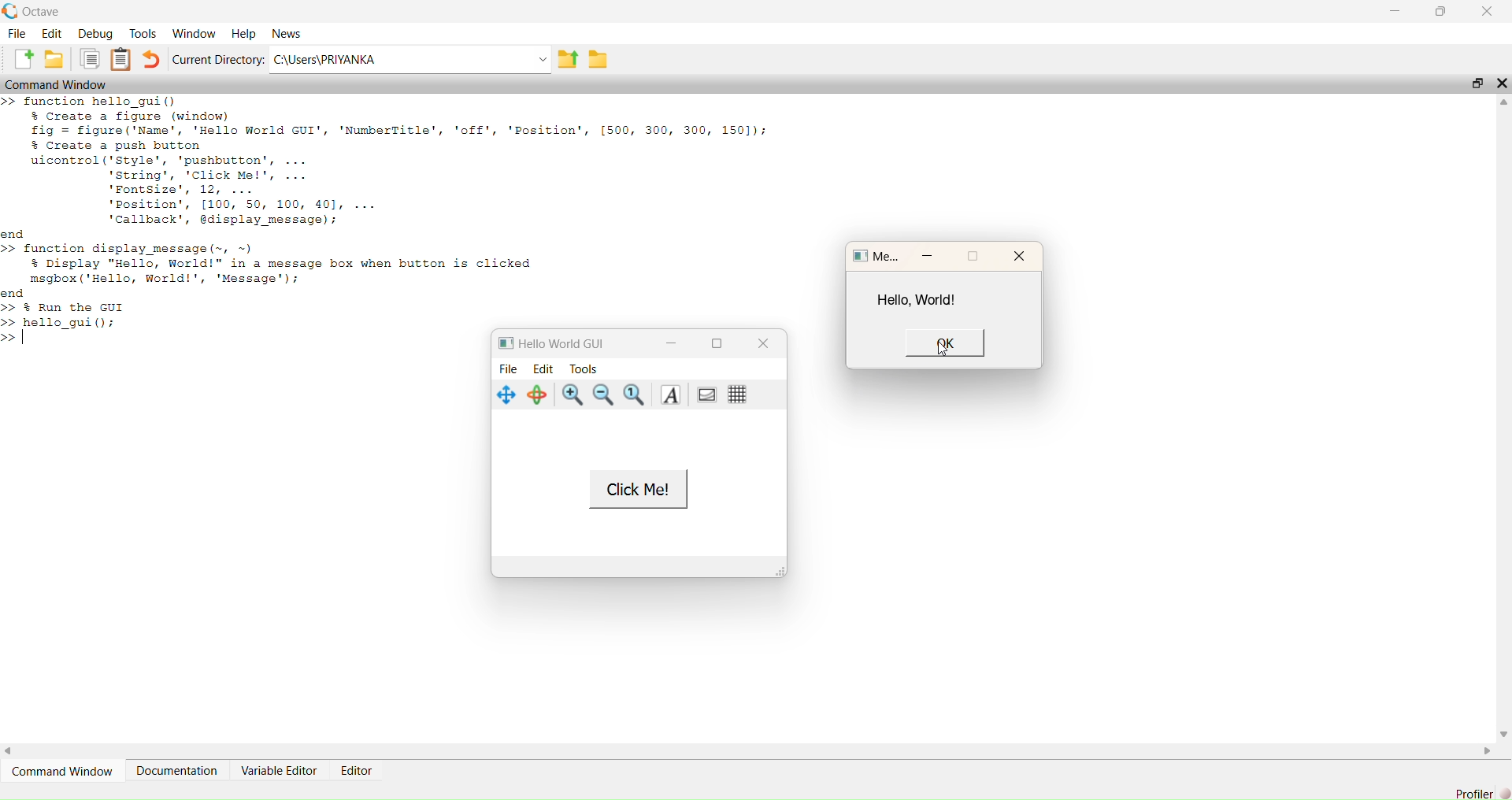 Image resolution: width=1512 pixels, height=800 pixels. What do you see at coordinates (54, 61) in the screenshot?
I see `save` at bounding box center [54, 61].